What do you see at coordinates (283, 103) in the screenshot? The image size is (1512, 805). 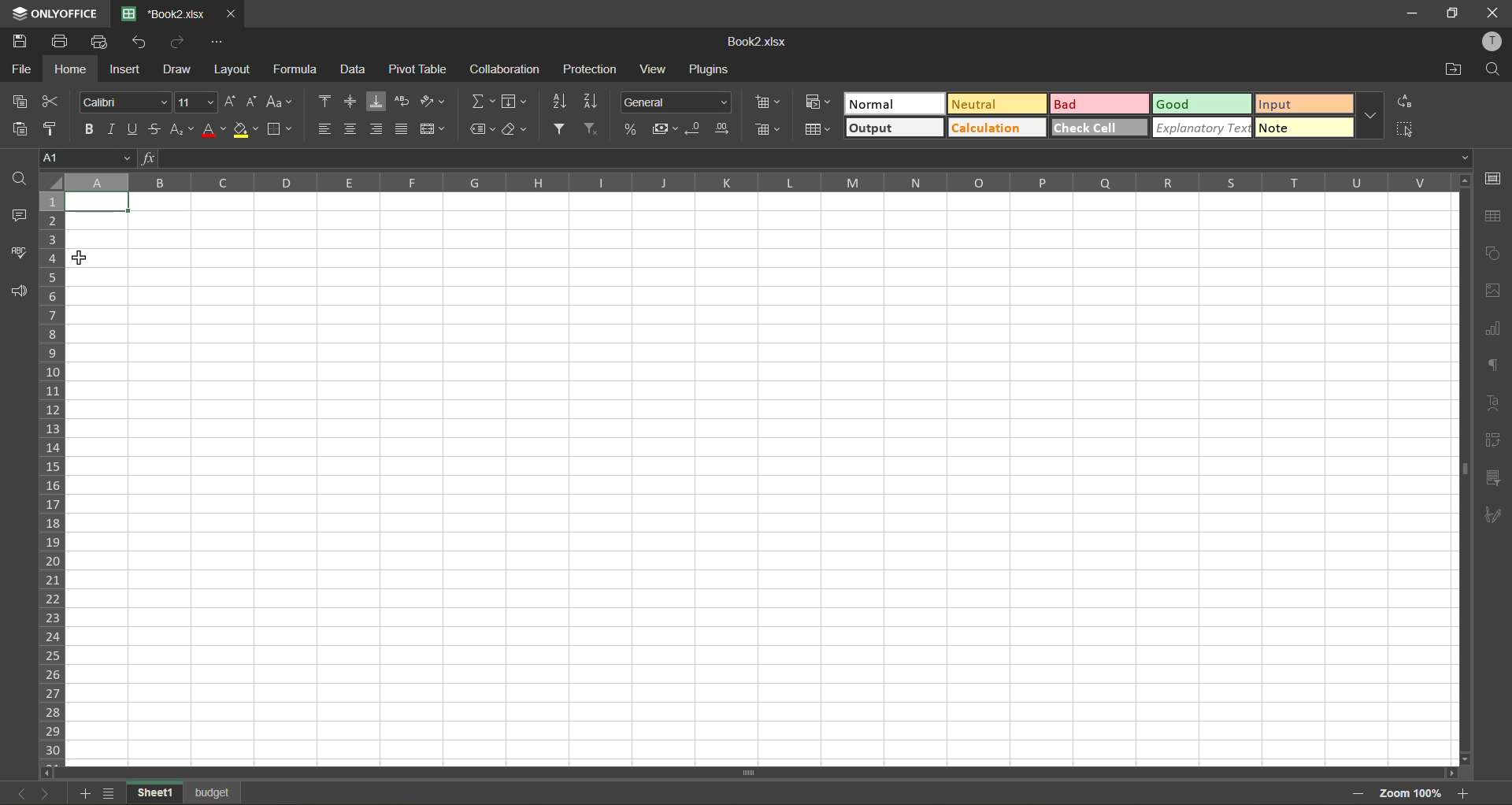 I see `change case` at bounding box center [283, 103].